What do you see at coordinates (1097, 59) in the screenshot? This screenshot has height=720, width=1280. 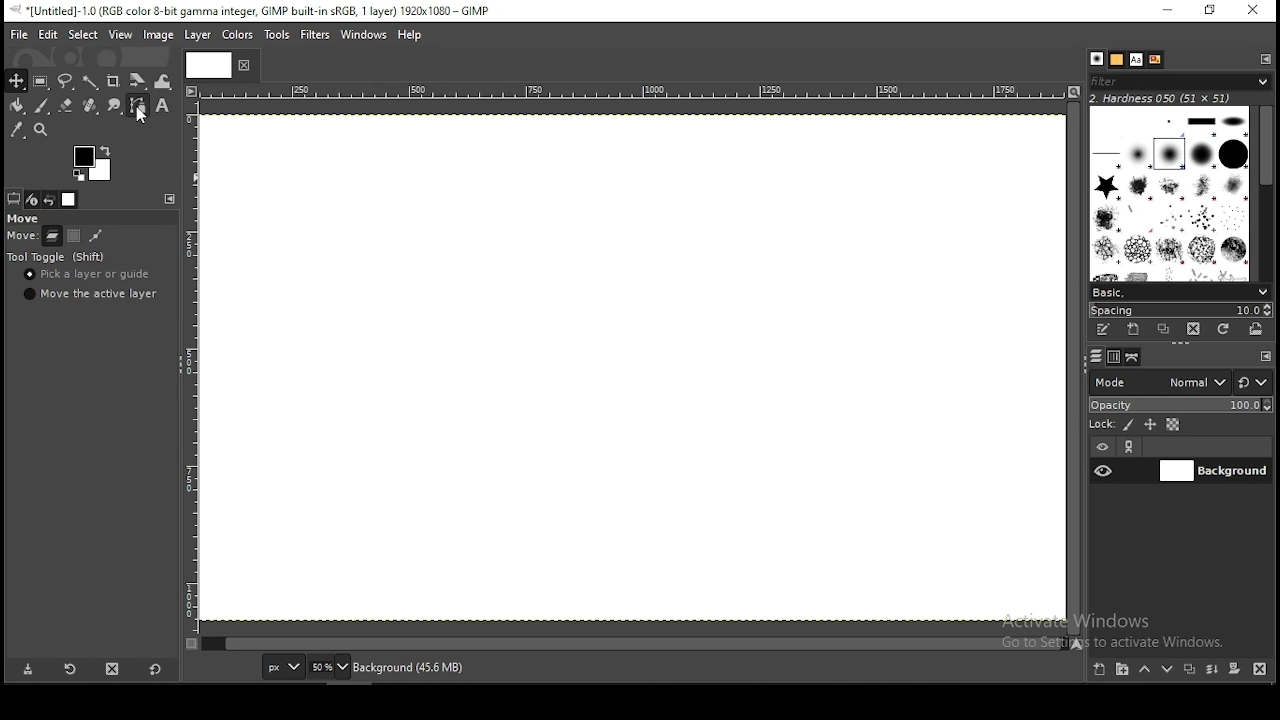 I see `brushes` at bounding box center [1097, 59].